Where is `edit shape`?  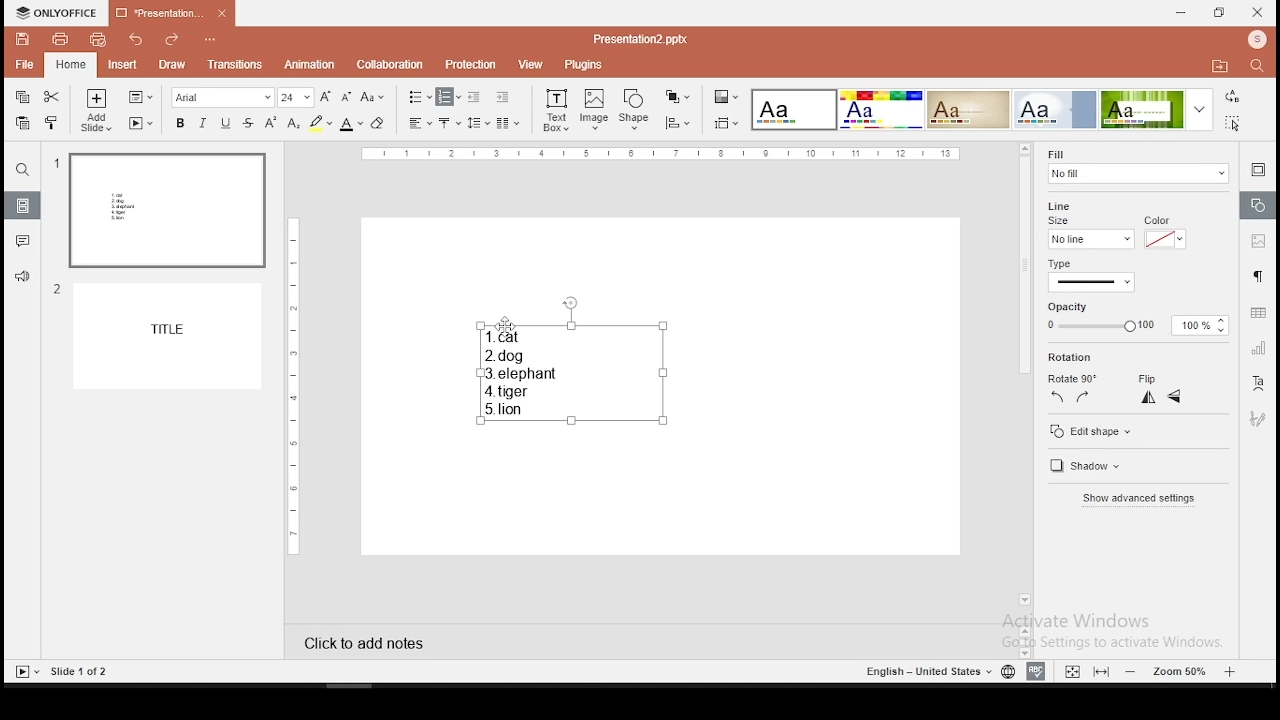 edit shape is located at coordinates (1137, 429).